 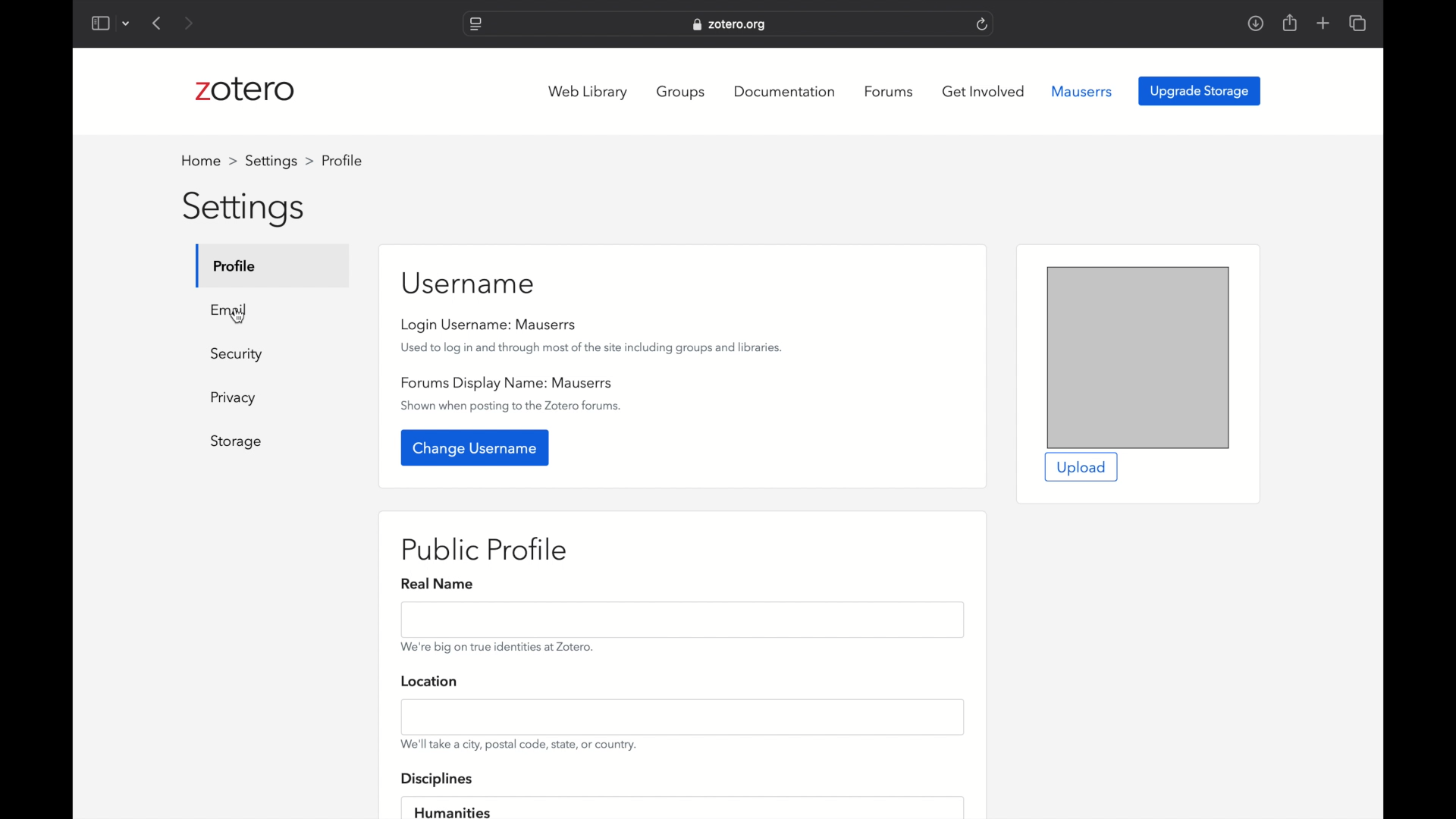 I want to click on home, so click(x=206, y=160).